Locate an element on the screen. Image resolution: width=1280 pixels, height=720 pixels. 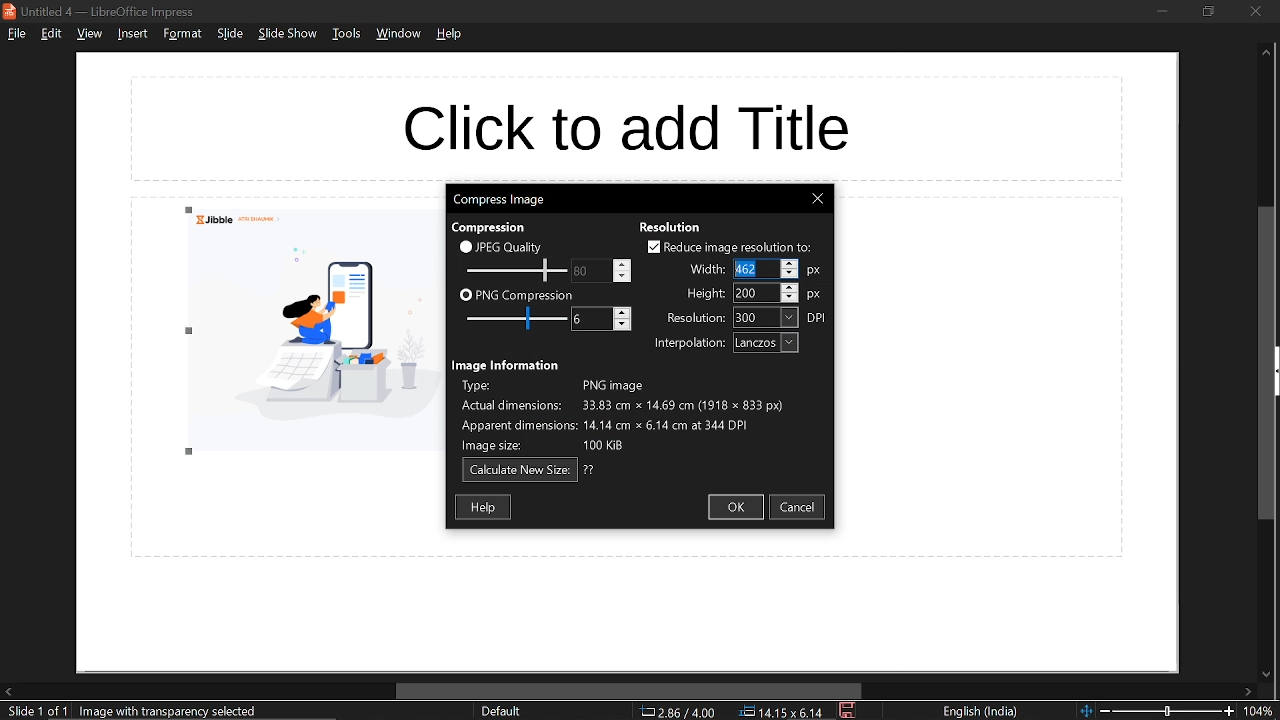
JPEG quality is located at coordinates (506, 246).